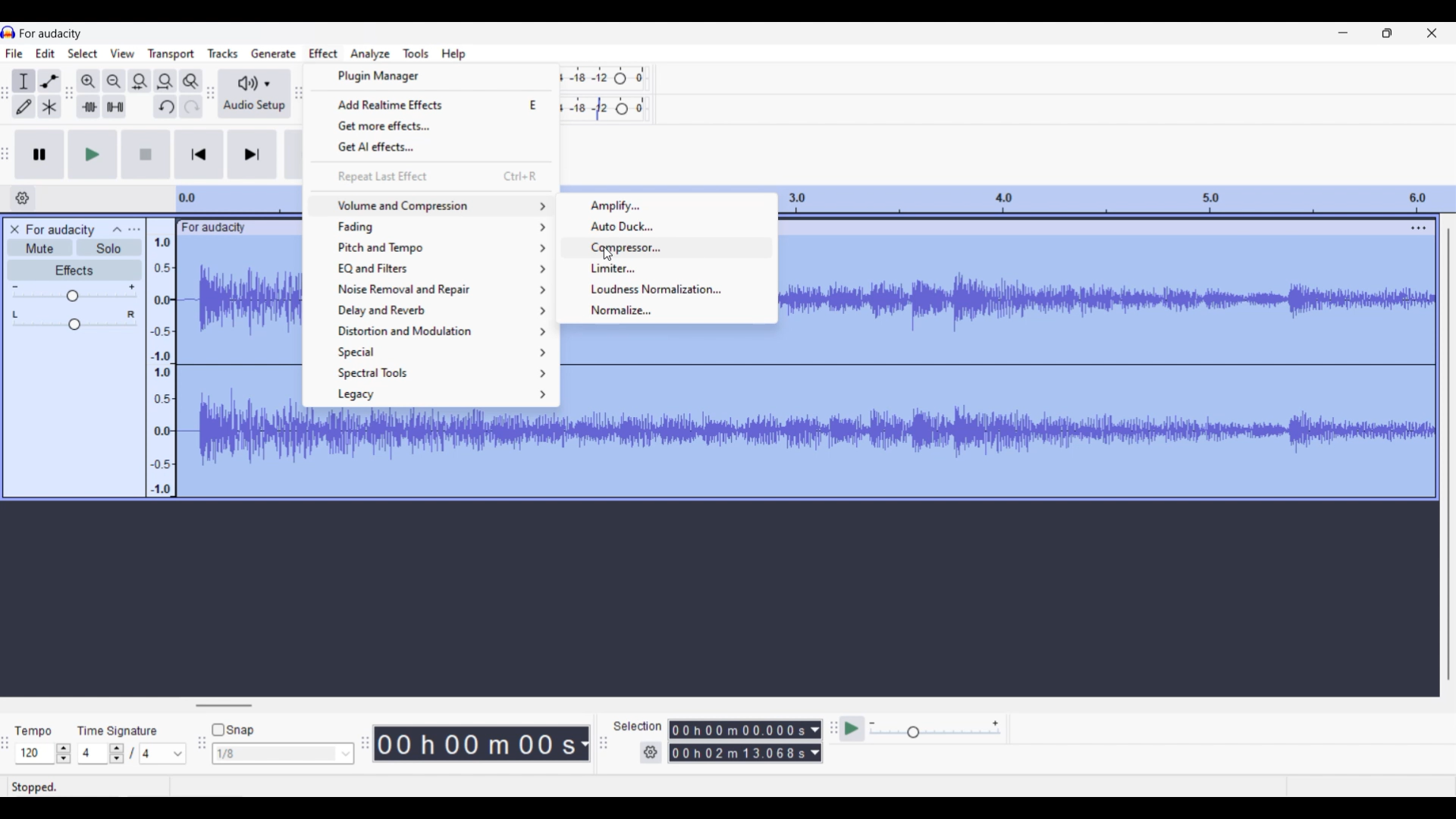 The height and width of the screenshot is (819, 1456). Describe the element at coordinates (667, 289) in the screenshot. I see `Loudness normalization` at that location.